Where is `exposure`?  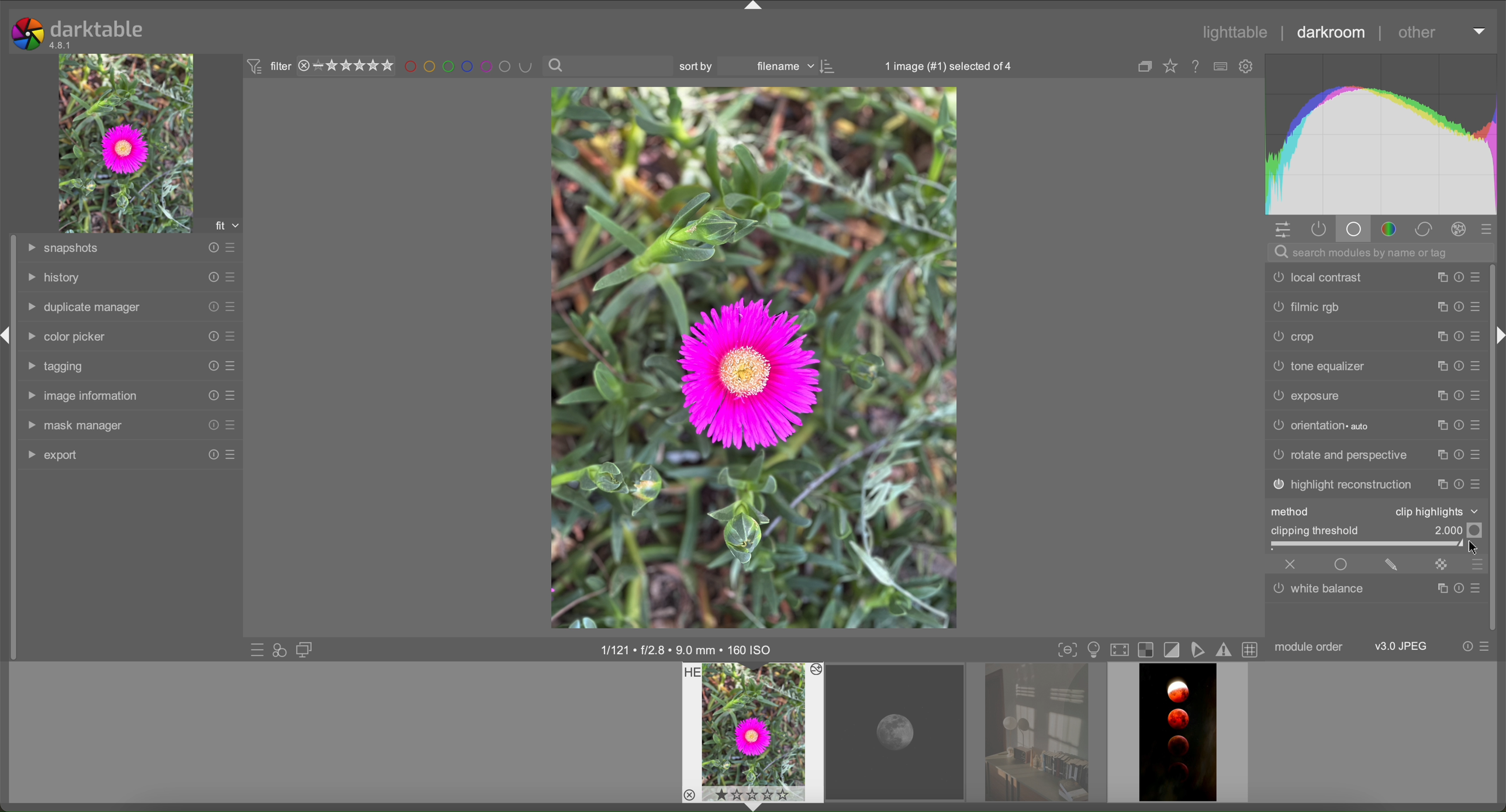
exposure is located at coordinates (1305, 395).